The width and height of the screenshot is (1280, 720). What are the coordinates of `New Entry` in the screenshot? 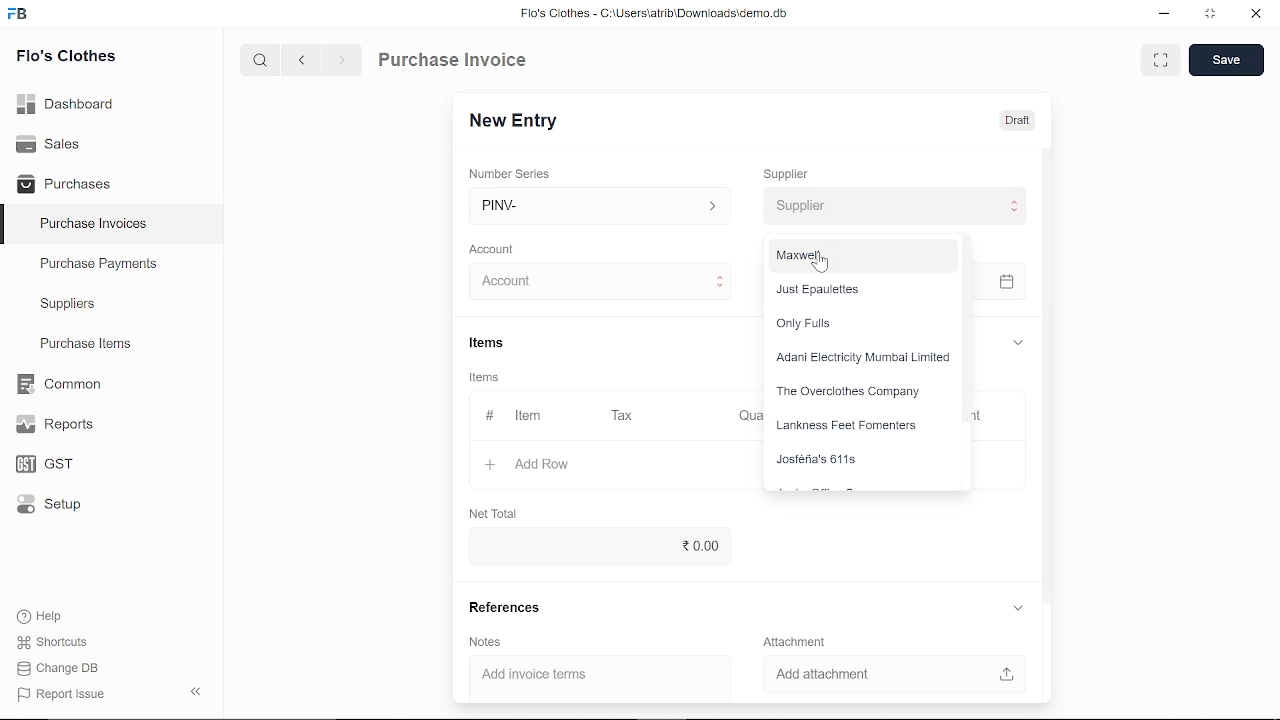 It's located at (518, 119).